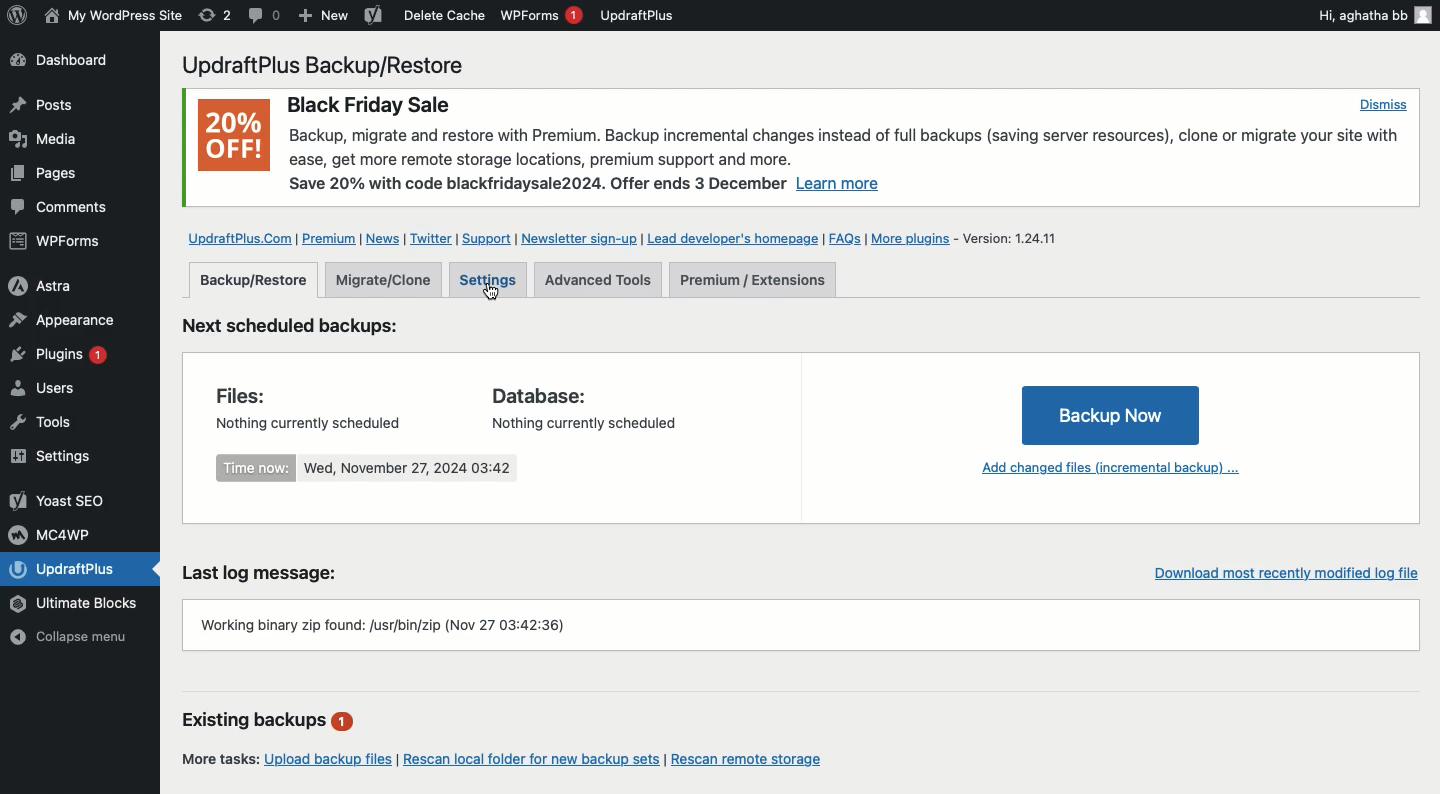  What do you see at coordinates (1373, 14) in the screenshot?
I see `Hi, aghatha bb` at bounding box center [1373, 14].